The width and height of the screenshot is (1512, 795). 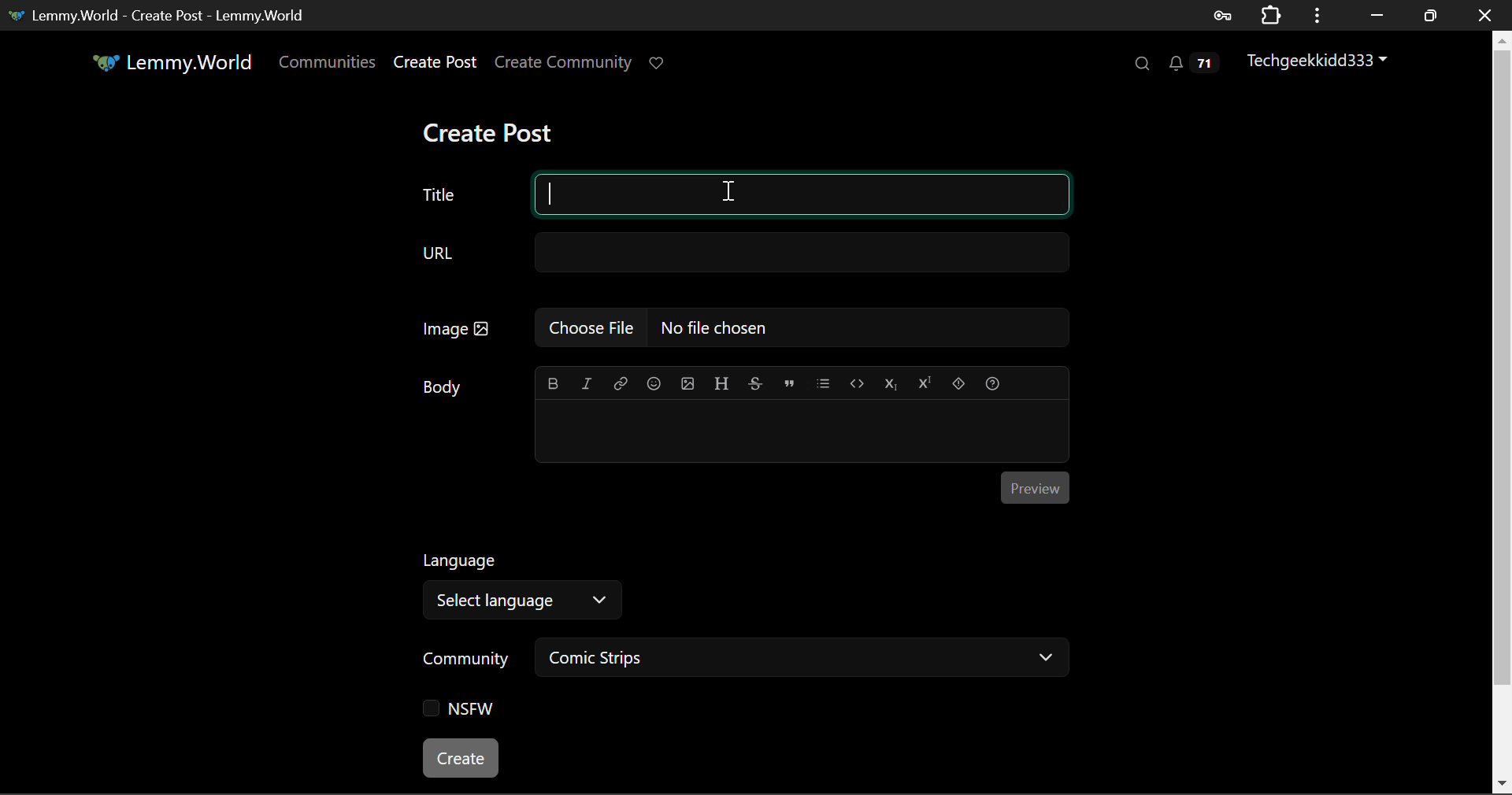 I want to click on Notifications, so click(x=1190, y=63).